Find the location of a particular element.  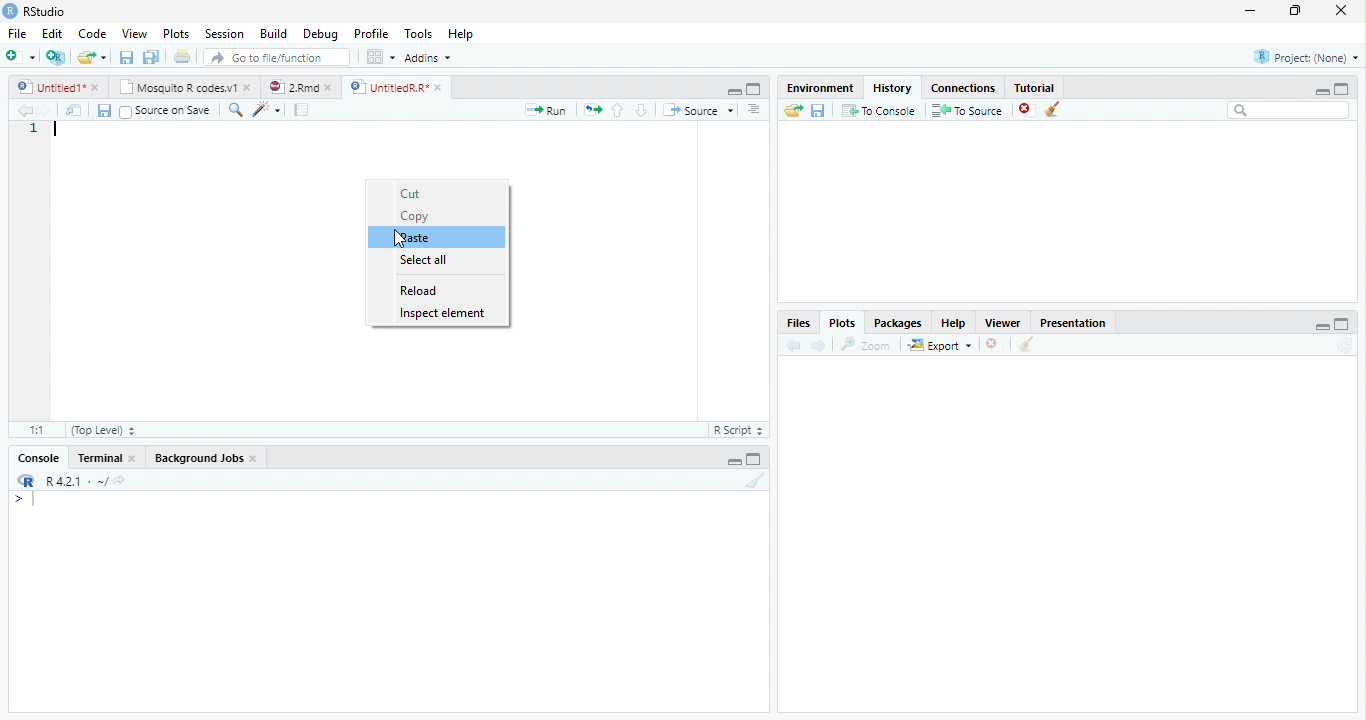

next is located at coordinates (821, 346).